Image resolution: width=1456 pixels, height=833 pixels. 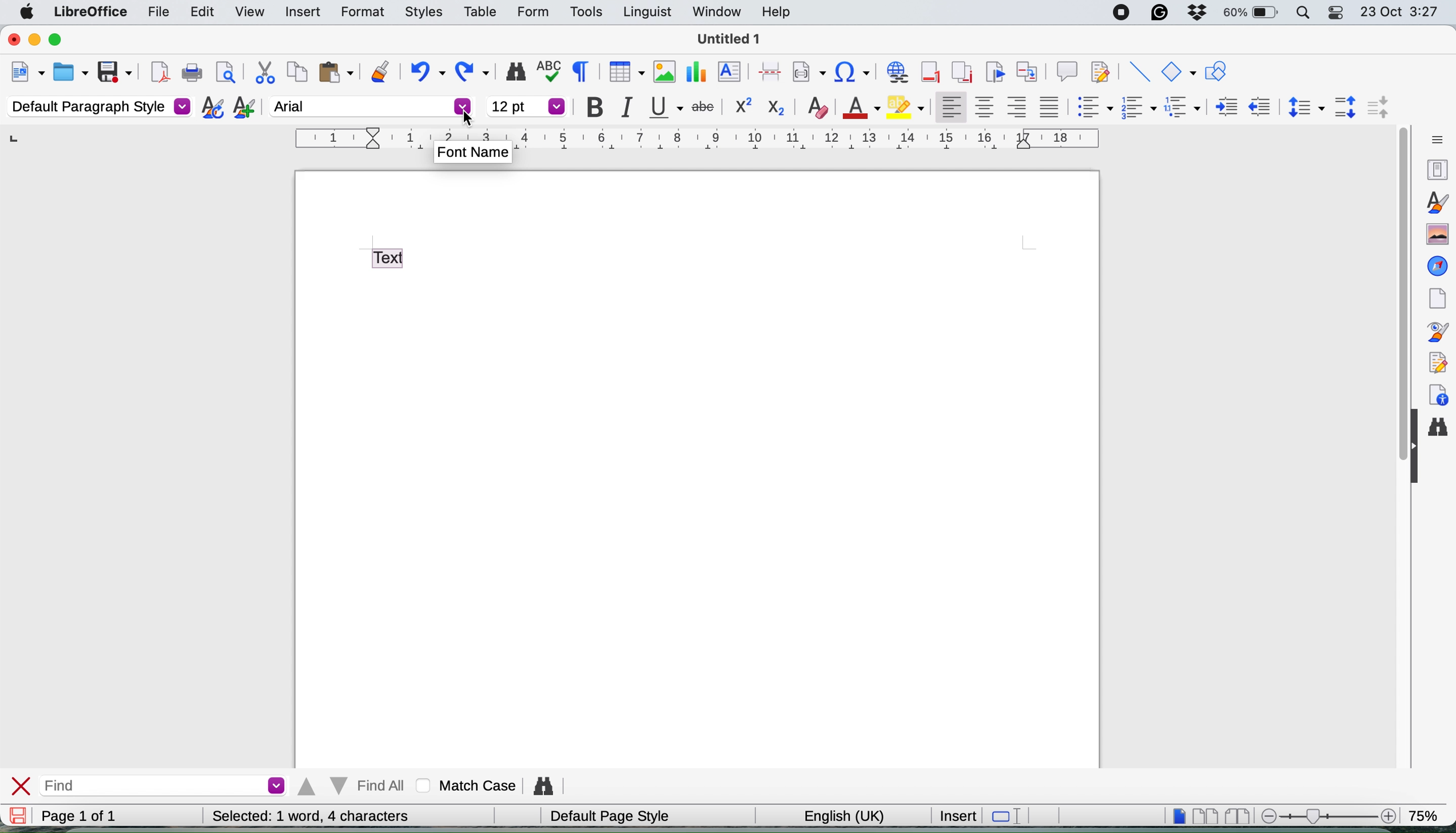 What do you see at coordinates (908, 106) in the screenshot?
I see `fill color` at bounding box center [908, 106].